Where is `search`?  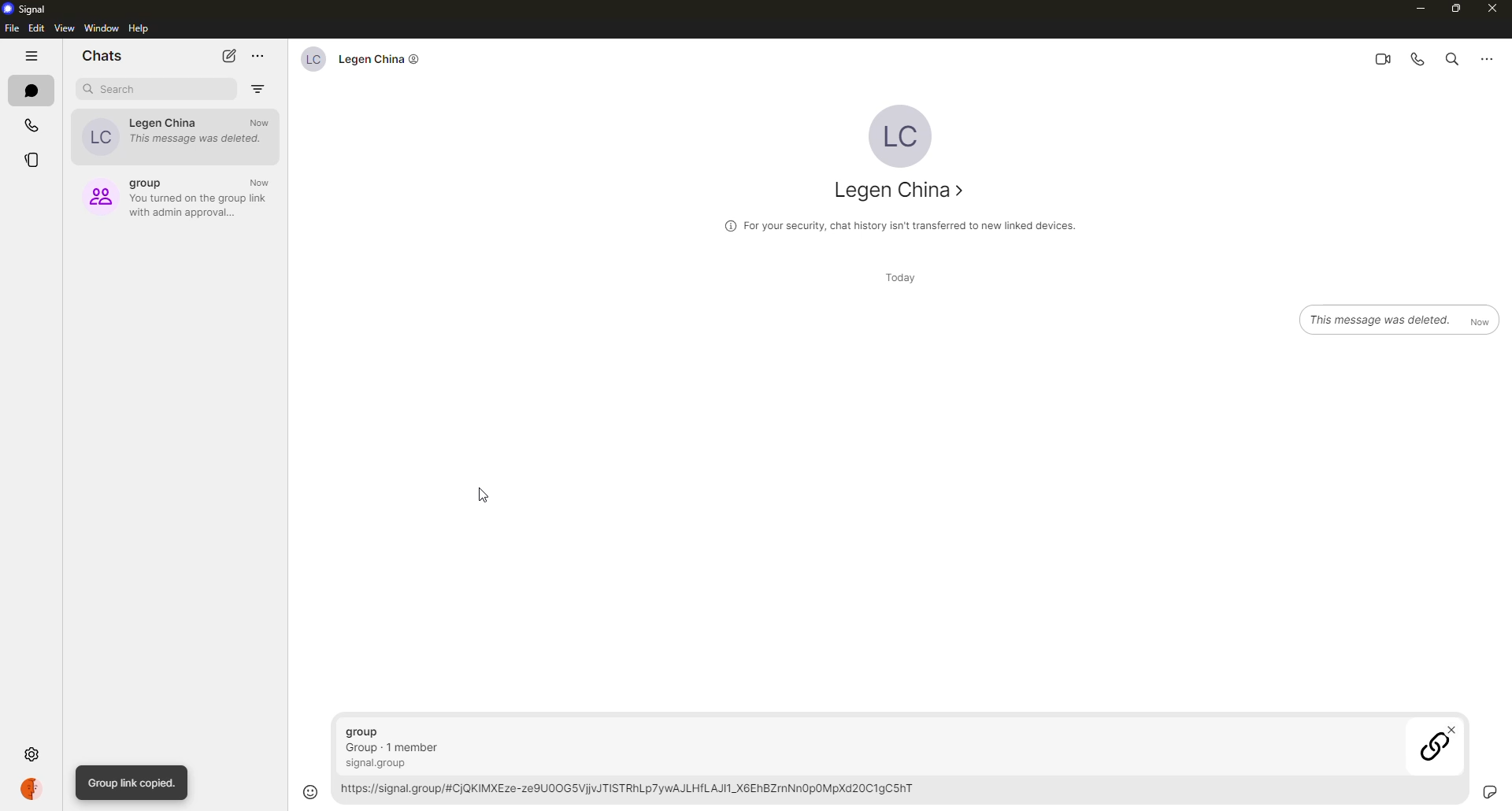
search is located at coordinates (117, 89).